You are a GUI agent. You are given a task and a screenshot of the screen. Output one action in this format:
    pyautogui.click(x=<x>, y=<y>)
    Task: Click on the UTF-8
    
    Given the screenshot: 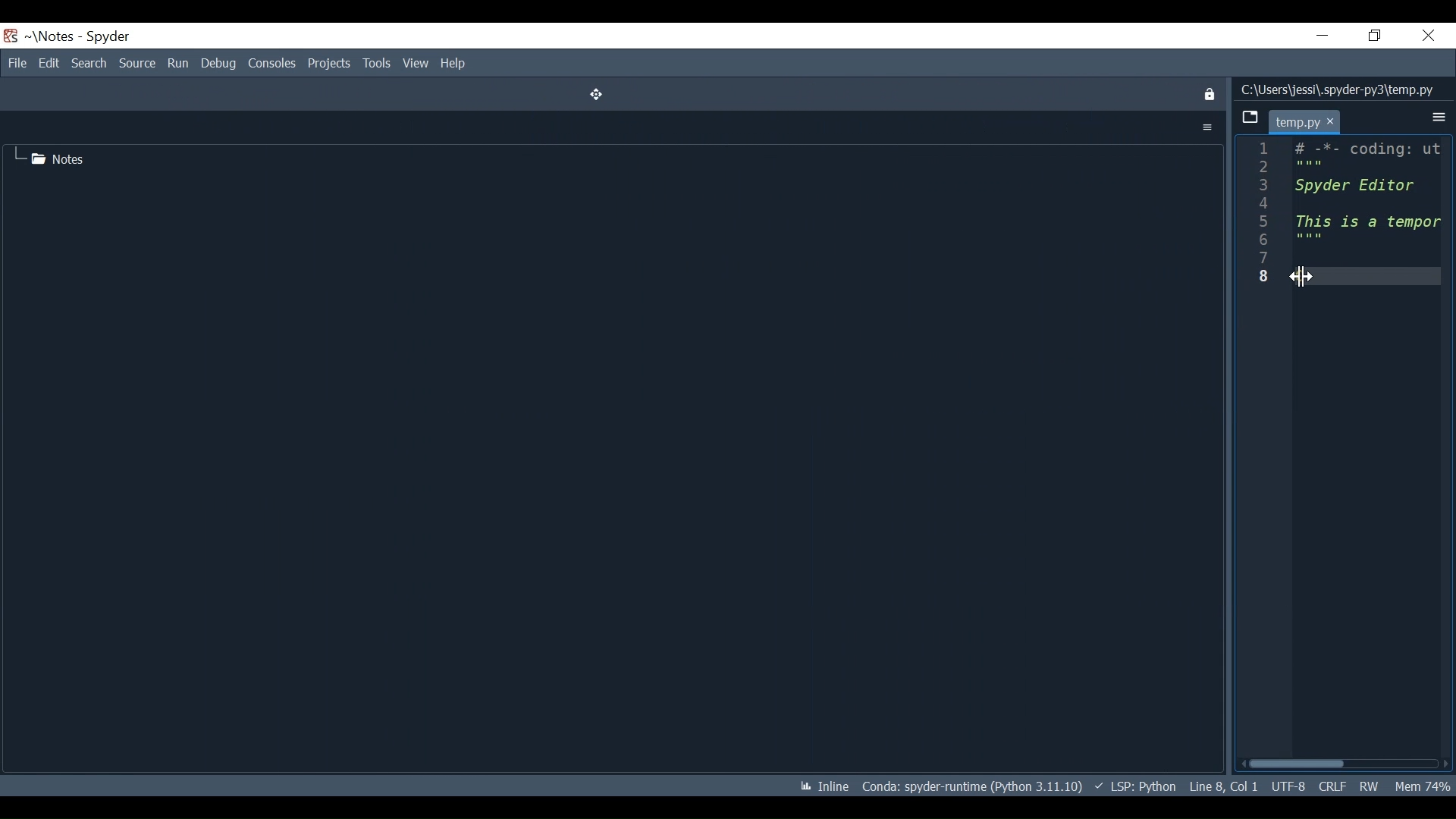 What is the action you would take?
    pyautogui.click(x=1287, y=786)
    